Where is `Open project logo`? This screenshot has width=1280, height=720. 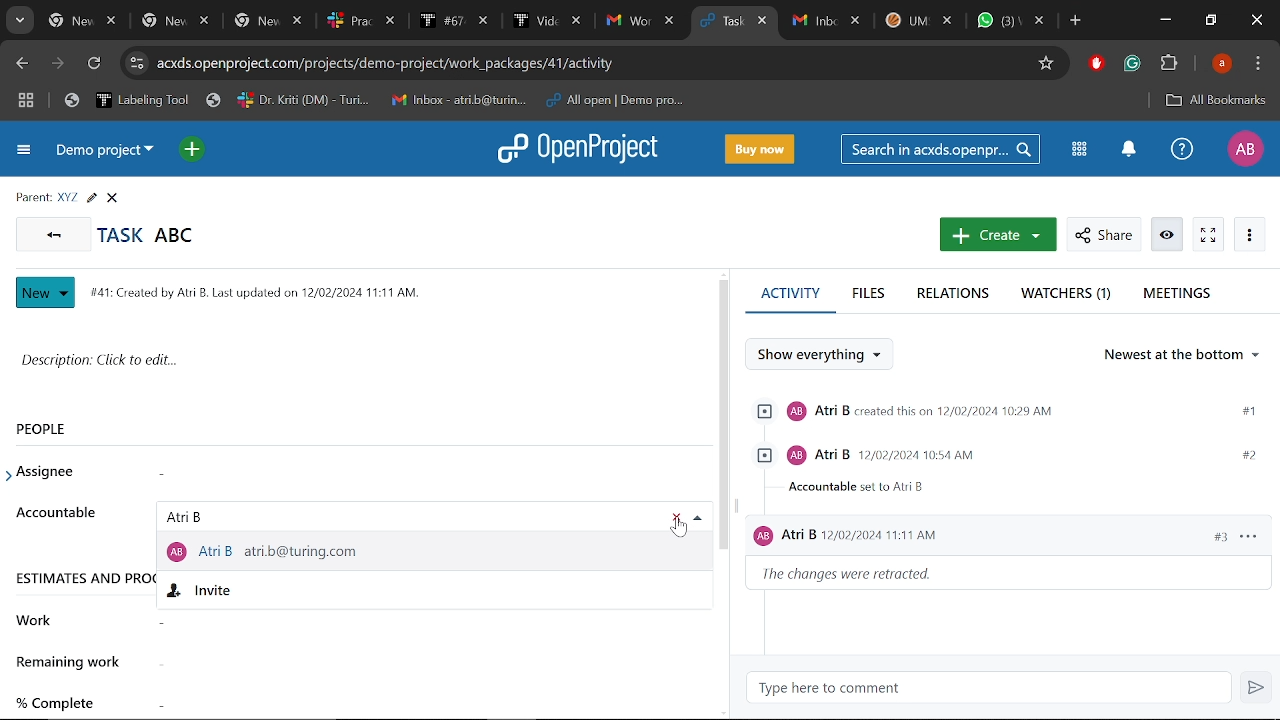 Open project logo is located at coordinates (583, 148).